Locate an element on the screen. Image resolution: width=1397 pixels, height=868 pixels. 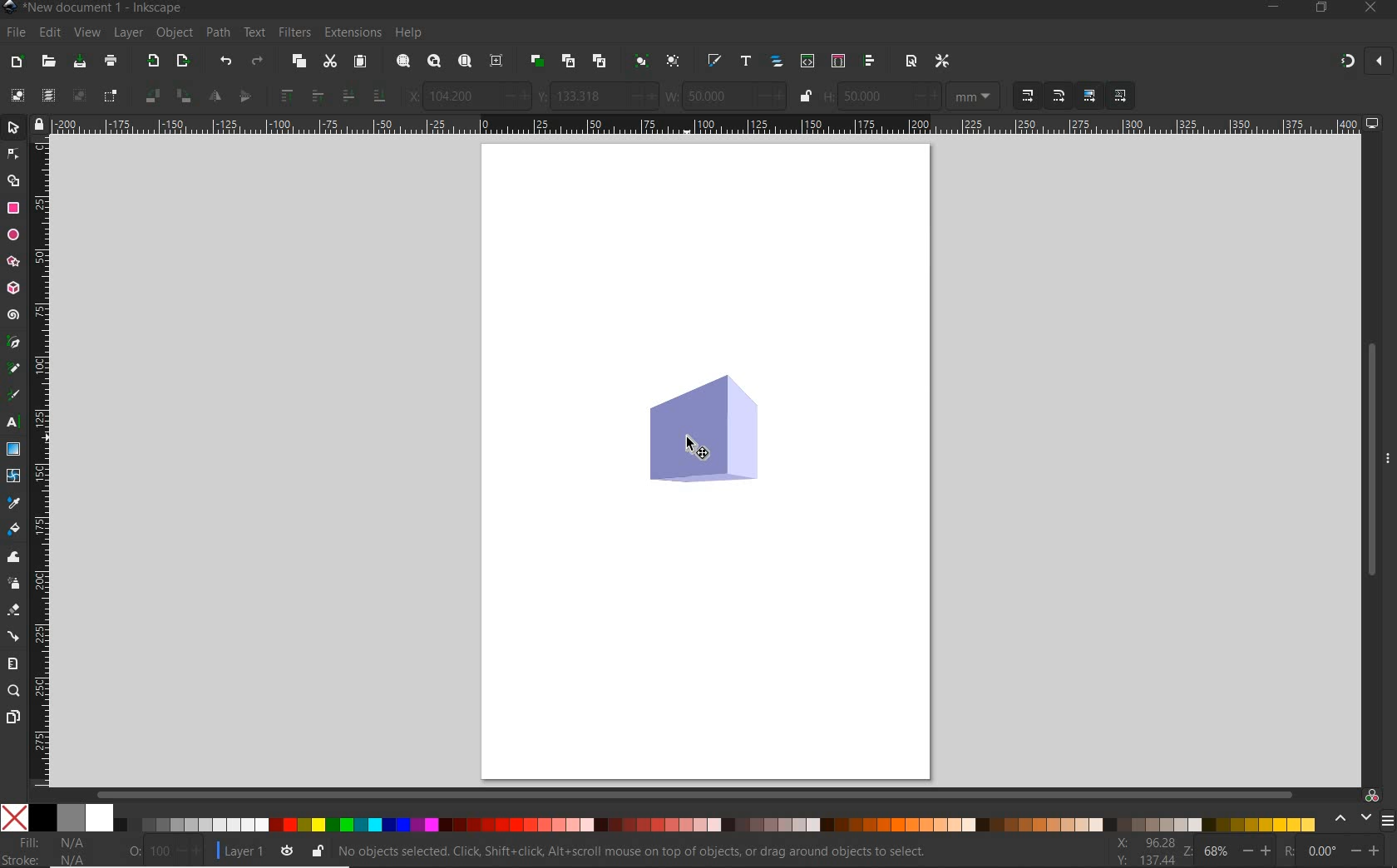
increase/decrease is located at coordinates (1256, 853).